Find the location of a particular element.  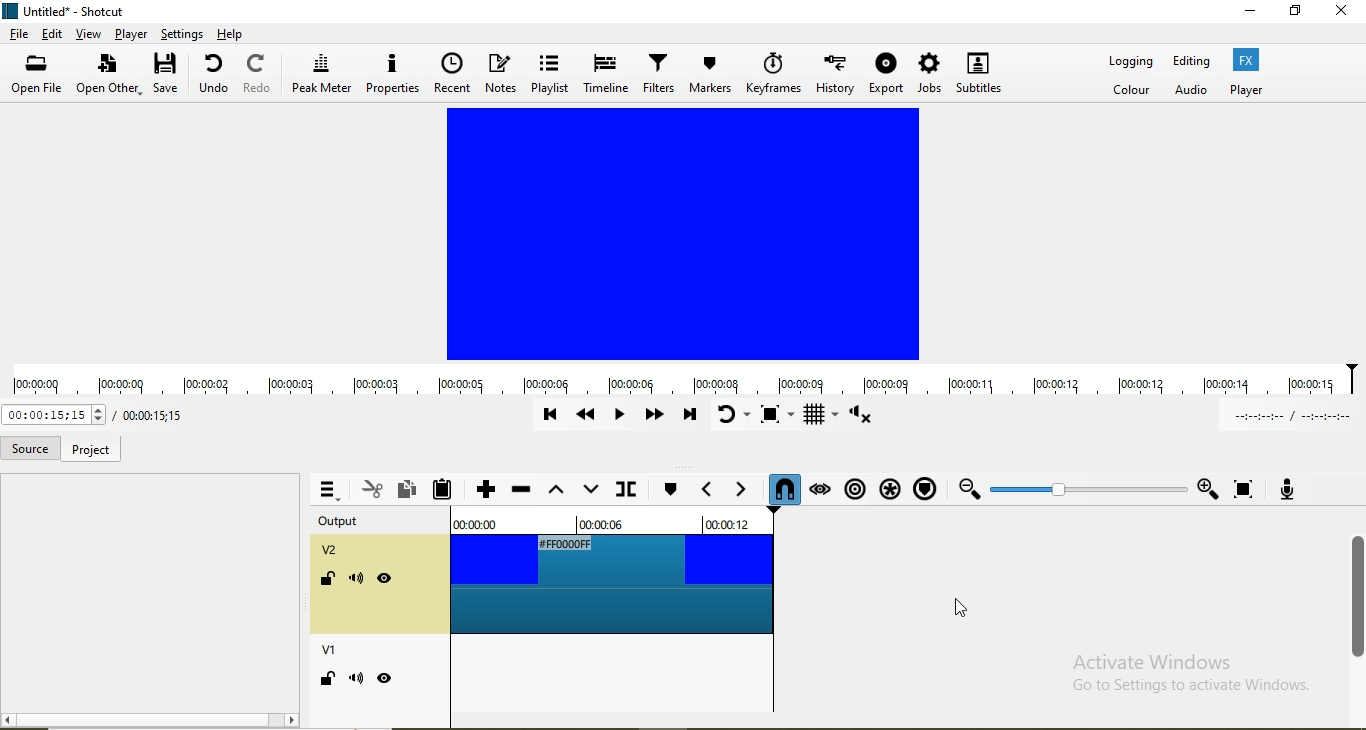

Play quickly forward is located at coordinates (653, 418).